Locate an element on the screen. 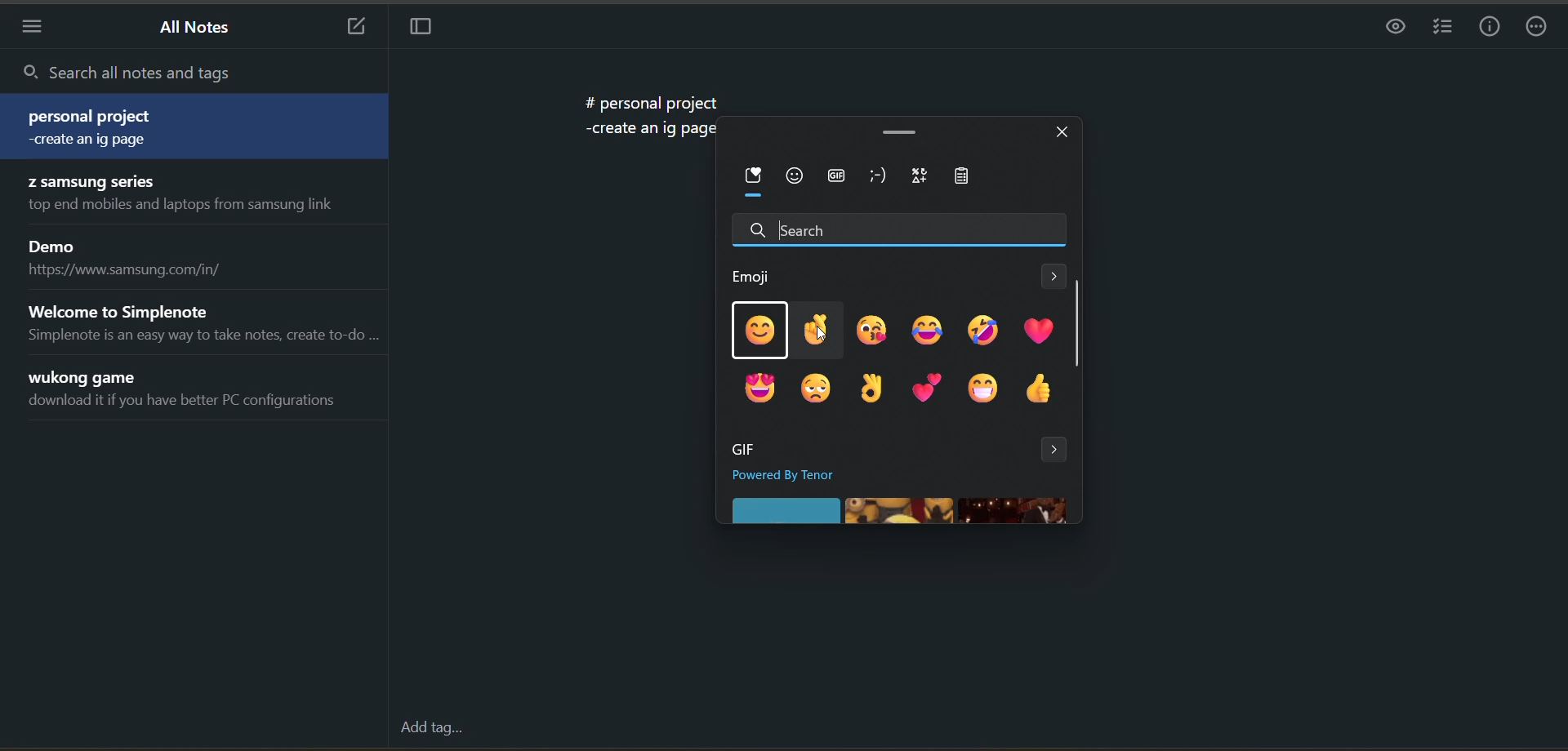  clipboard  history is located at coordinates (969, 176).